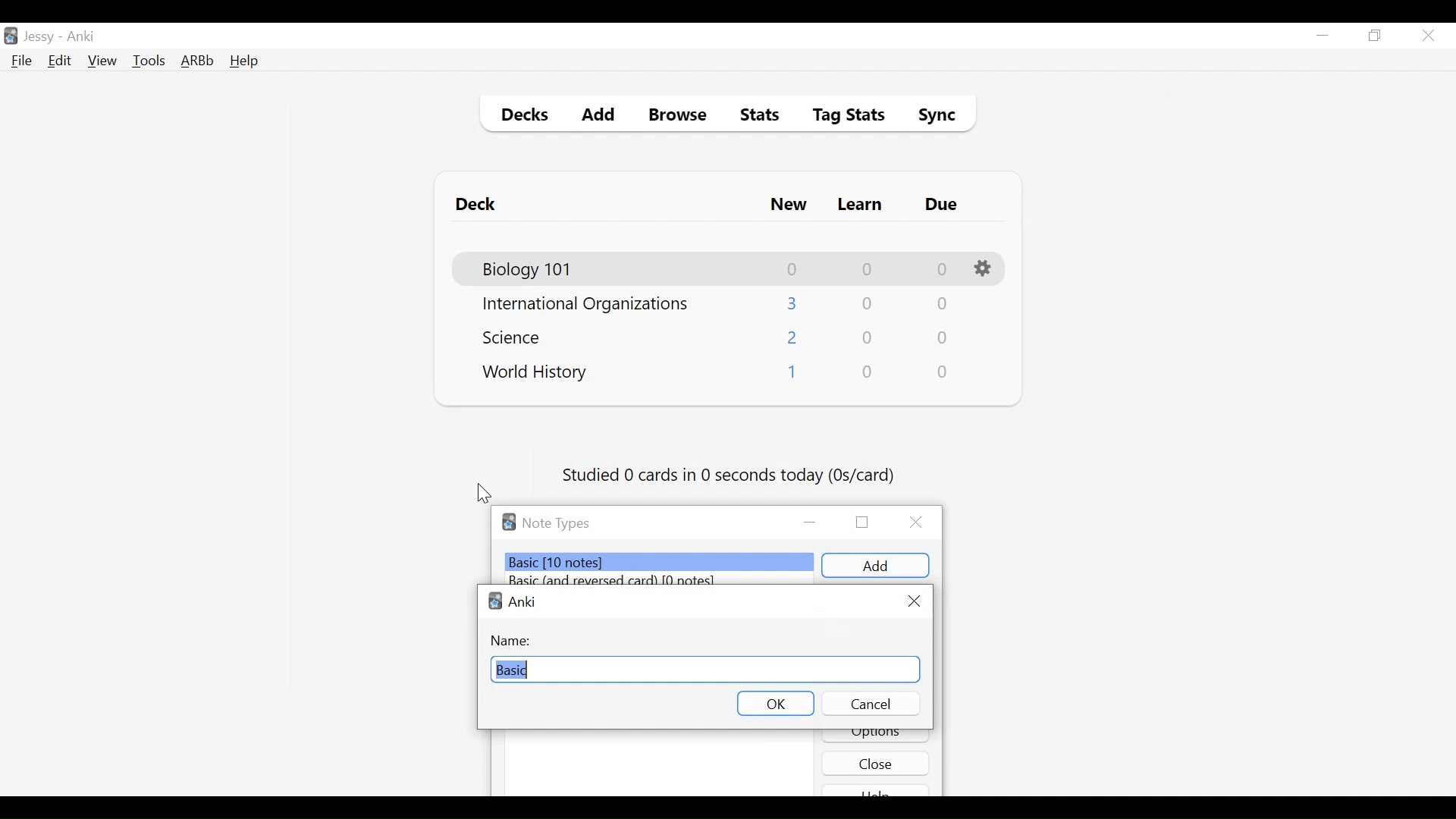 The image size is (1456, 819). What do you see at coordinates (523, 601) in the screenshot?
I see `Software name` at bounding box center [523, 601].